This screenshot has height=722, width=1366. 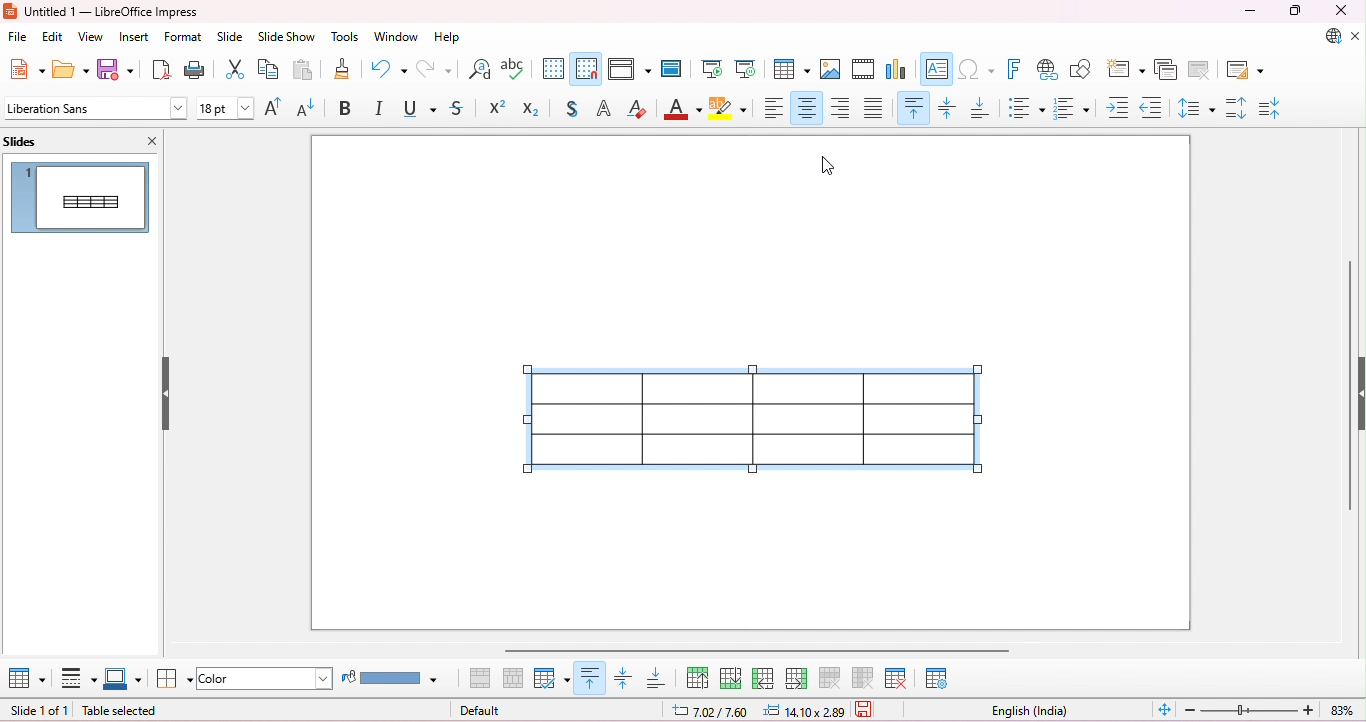 What do you see at coordinates (420, 108) in the screenshot?
I see `underline` at bounding box center [420, 108].